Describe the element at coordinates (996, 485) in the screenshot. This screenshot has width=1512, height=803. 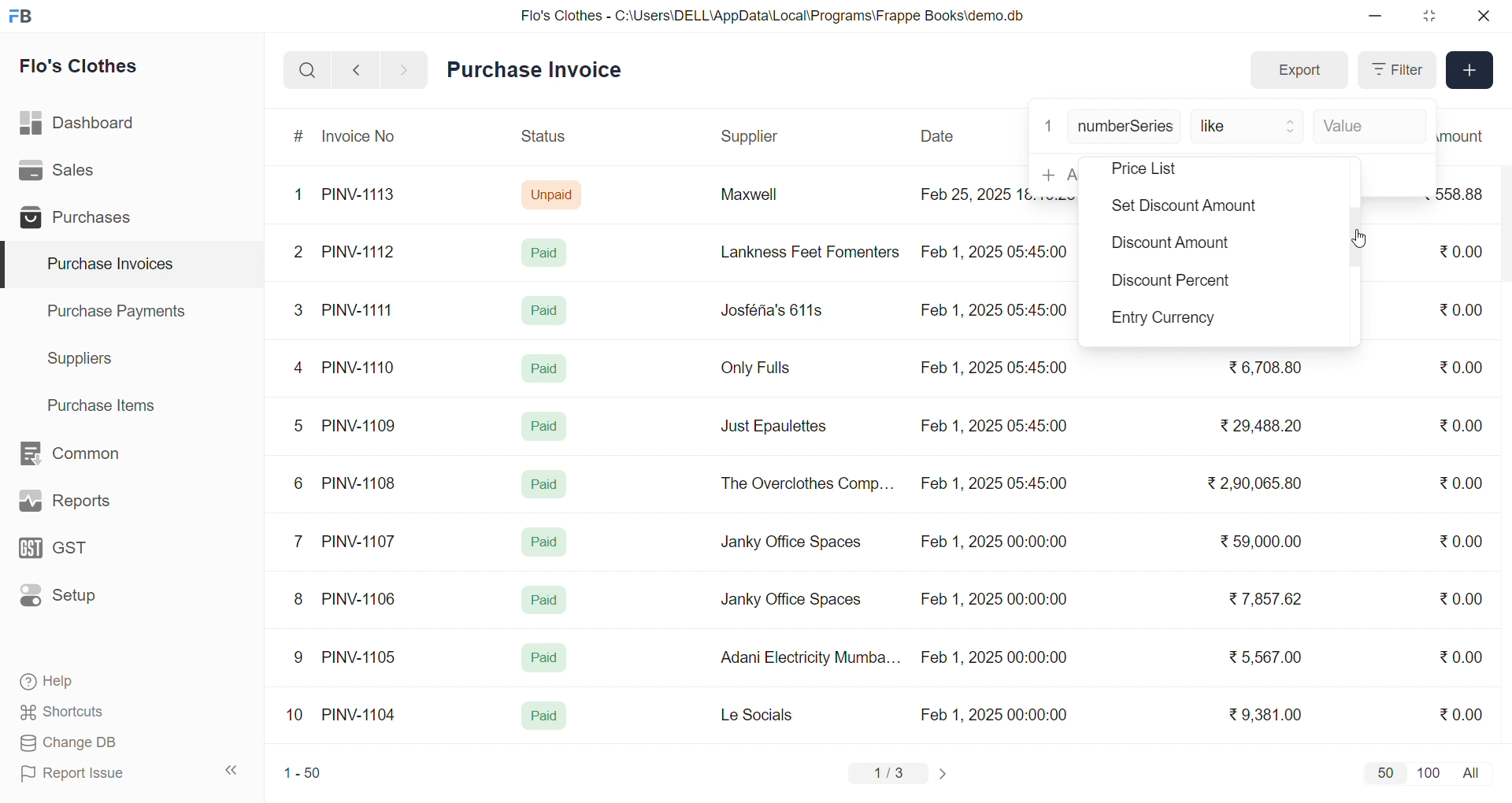
I see `Feb 1, 2025 05:45:00` at that location.